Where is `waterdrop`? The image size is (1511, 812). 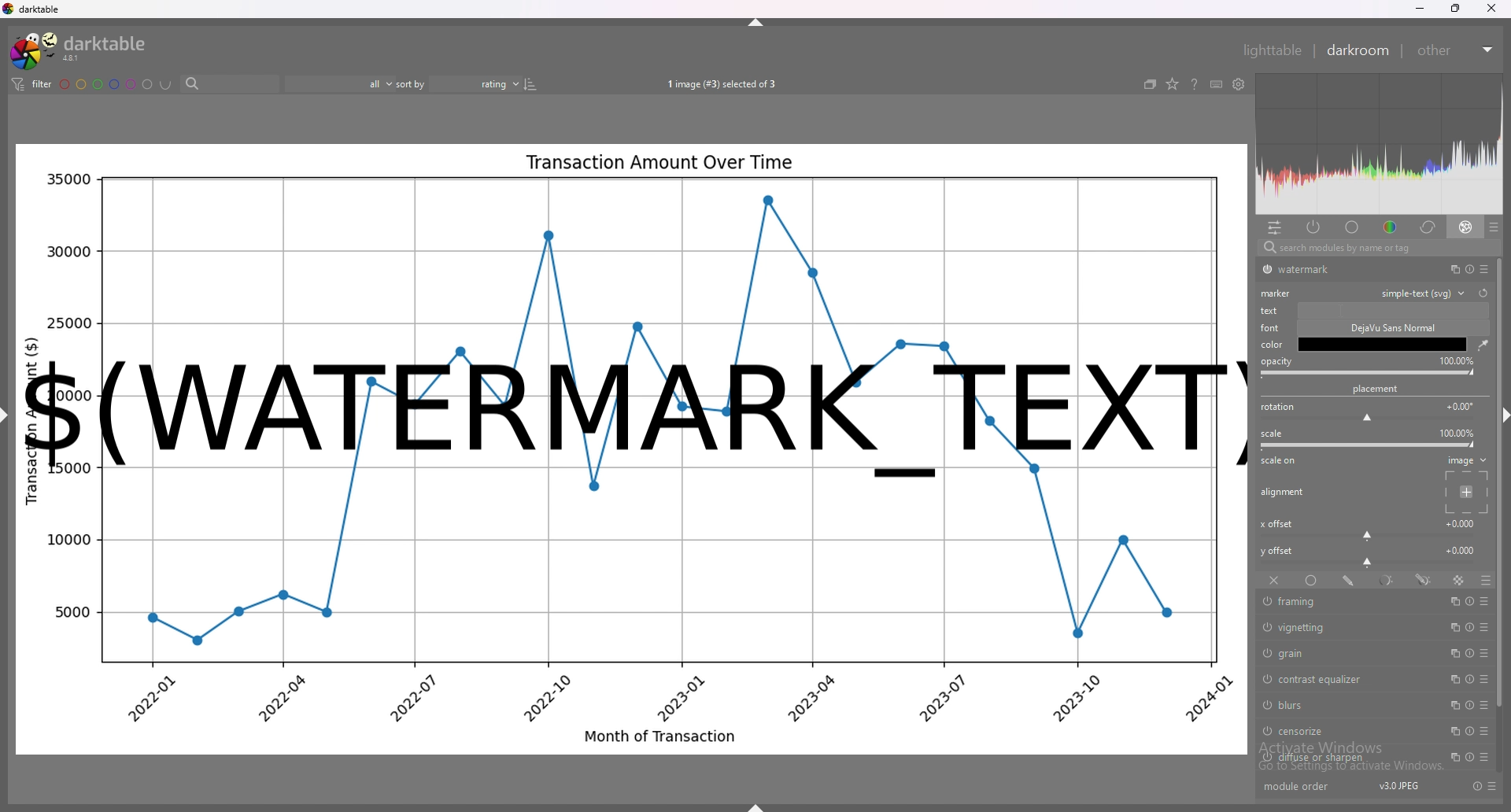
waterdrop is located at coordinates (1482, 345).